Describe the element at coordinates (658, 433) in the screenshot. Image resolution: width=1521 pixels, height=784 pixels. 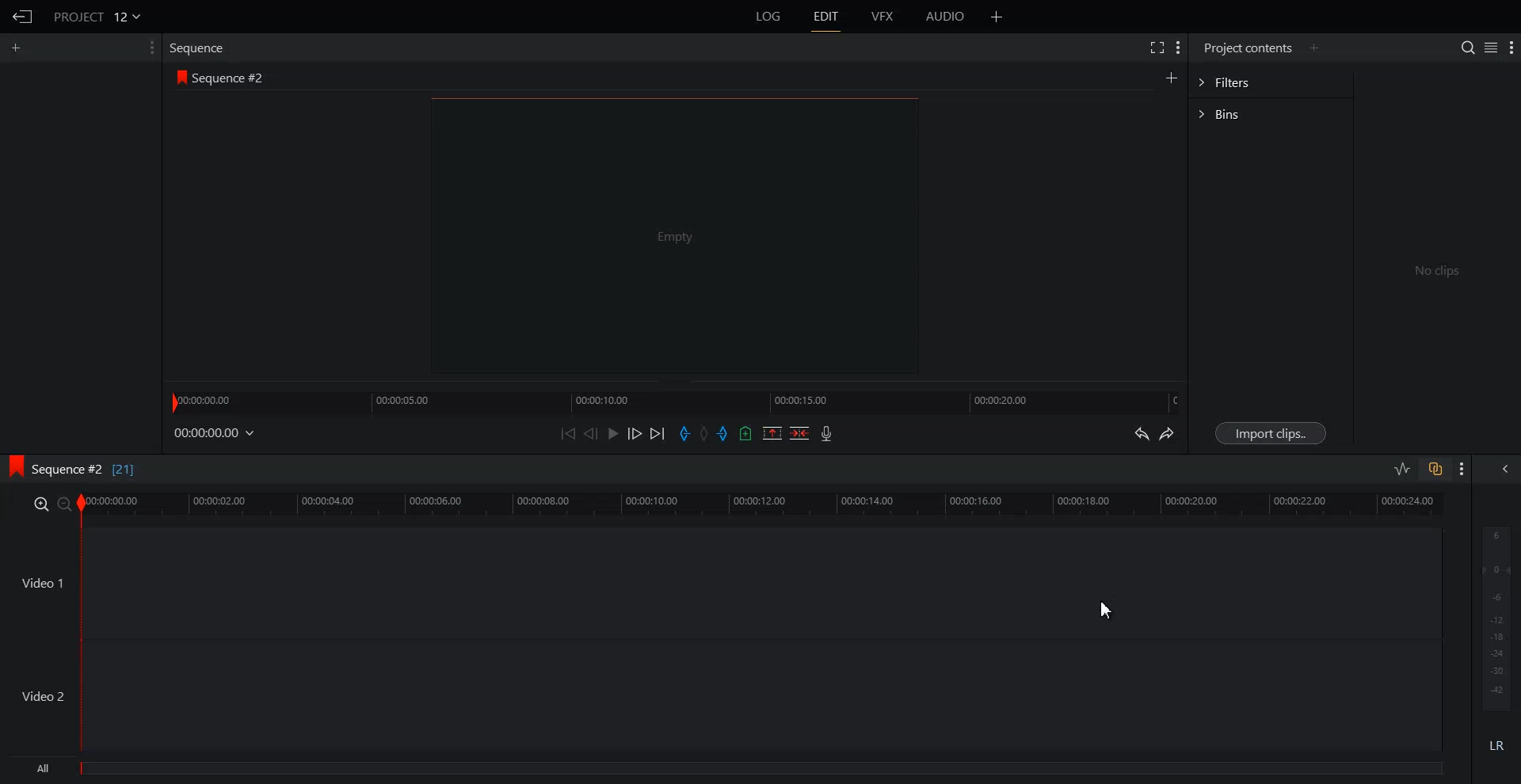
I see `Move Forward` at that location.